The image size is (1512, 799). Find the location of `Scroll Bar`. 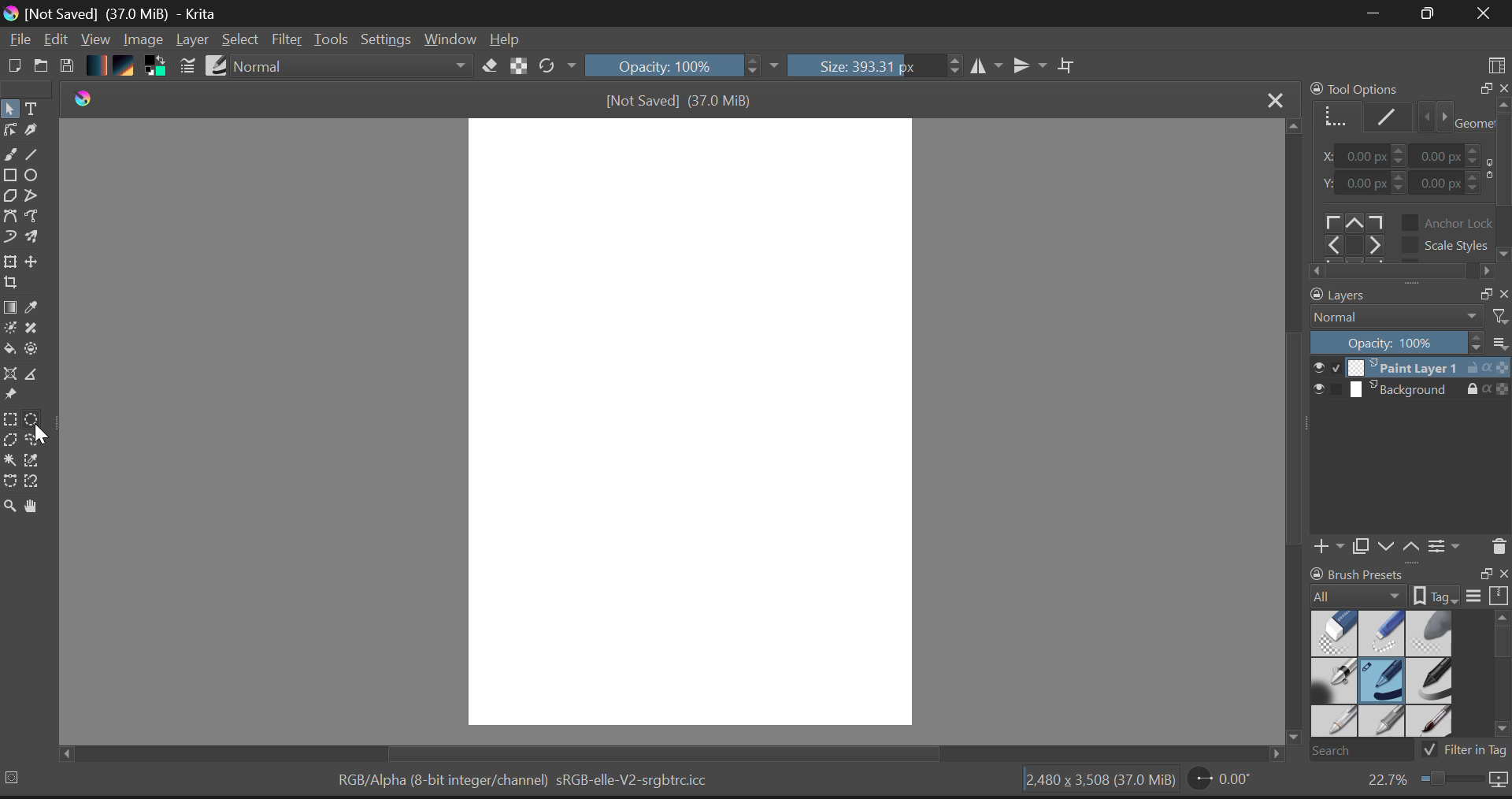

Scroll Bar is located at coordinates (679, 753).